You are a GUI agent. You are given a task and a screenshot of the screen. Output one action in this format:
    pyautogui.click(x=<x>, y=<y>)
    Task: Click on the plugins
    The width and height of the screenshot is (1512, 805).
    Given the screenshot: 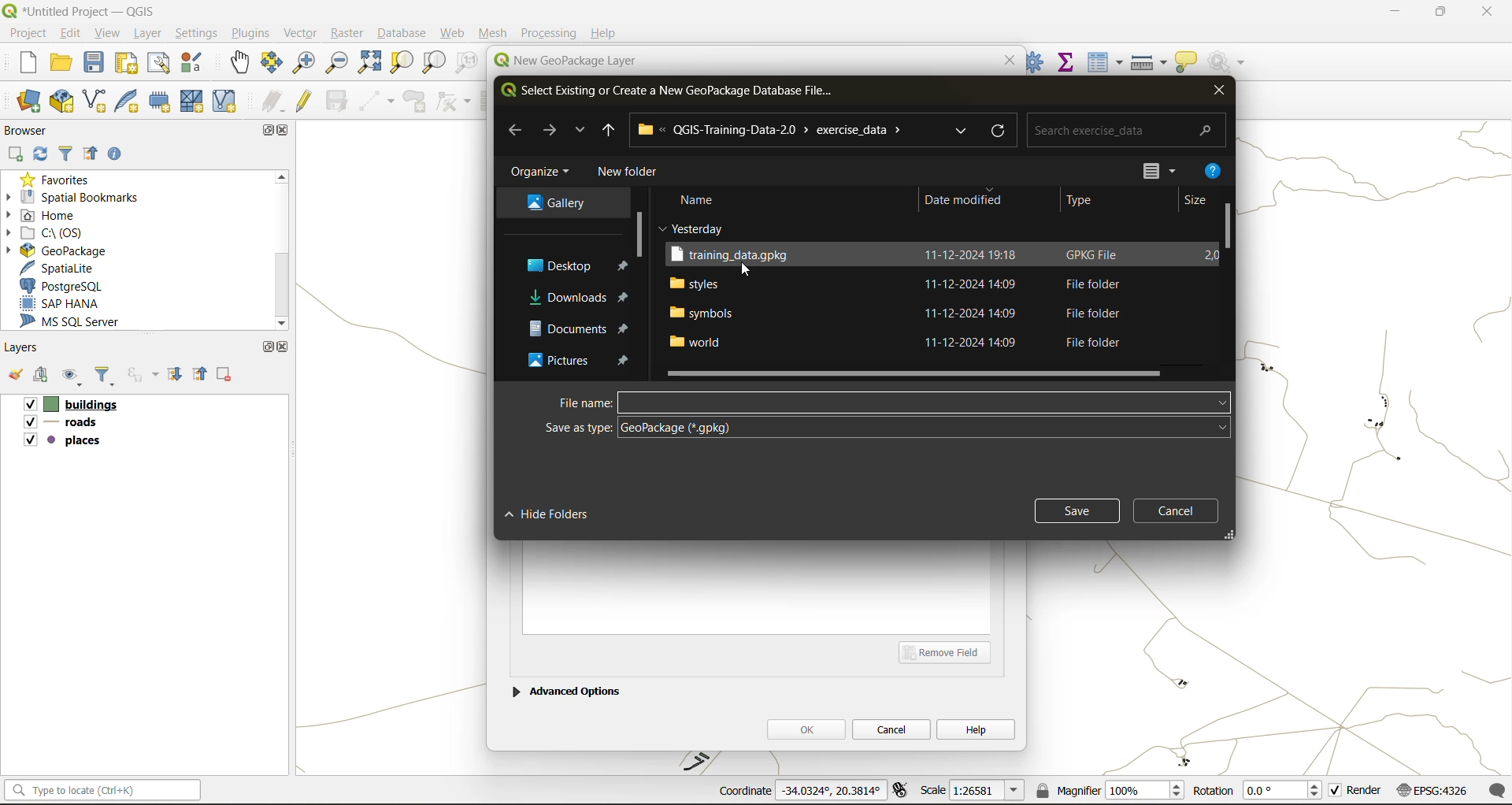 What is the action you would take?
    pyautogui.click(x=250, y=33)
    